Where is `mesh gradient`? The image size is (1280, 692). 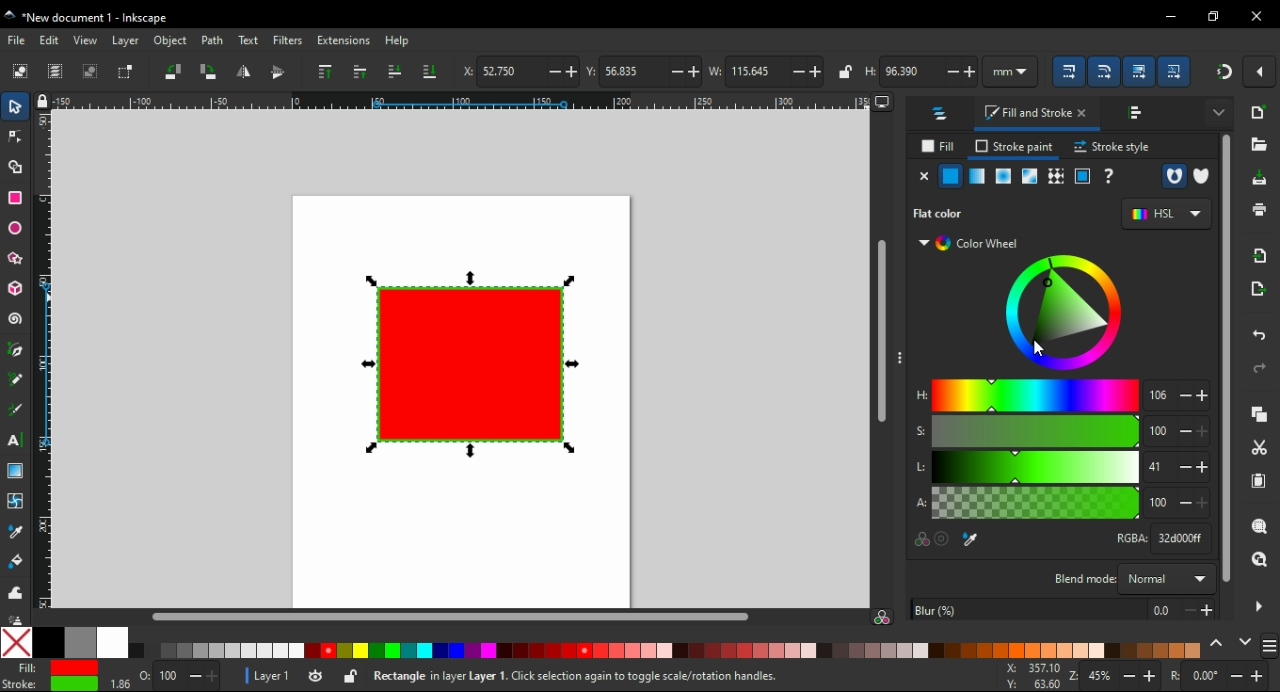
mesh gradient is located at coordinates (977, 177).